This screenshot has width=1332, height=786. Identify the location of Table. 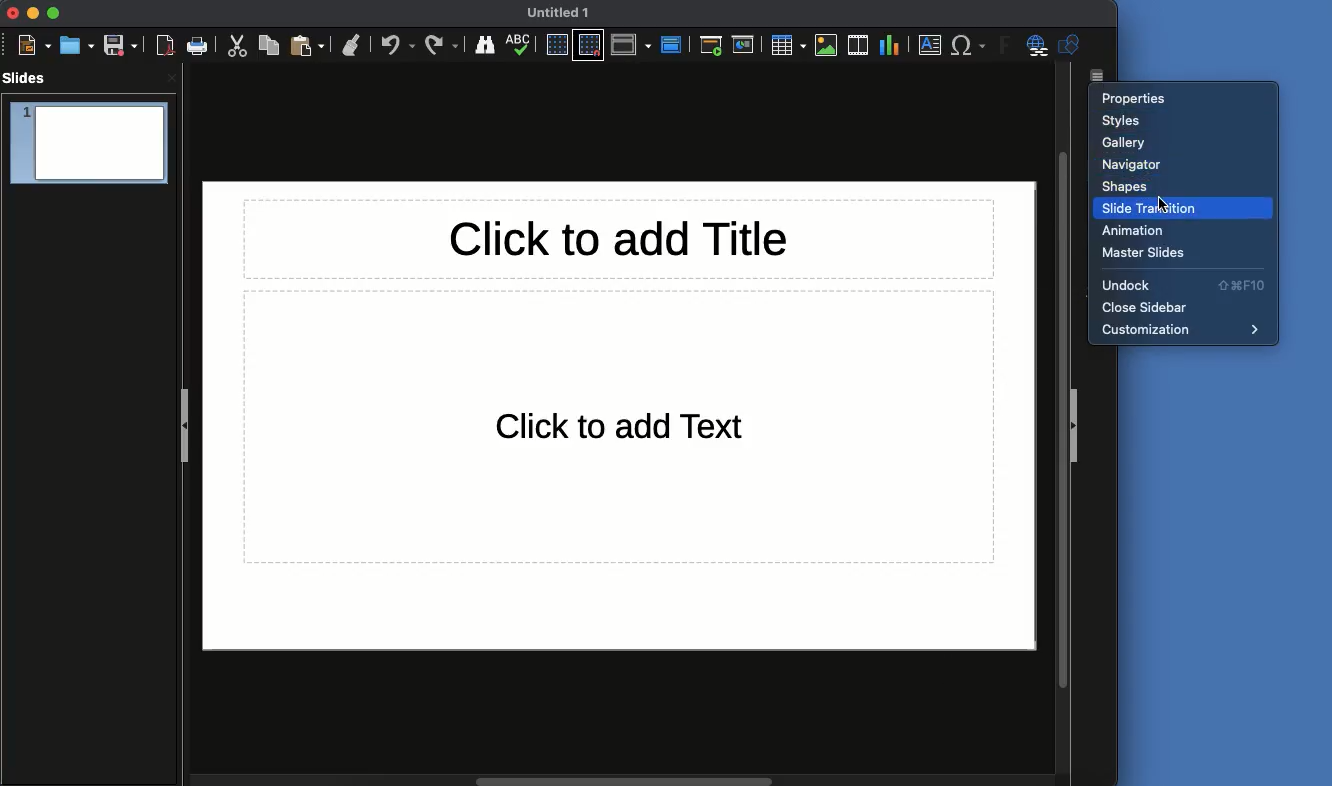
(787, 44).